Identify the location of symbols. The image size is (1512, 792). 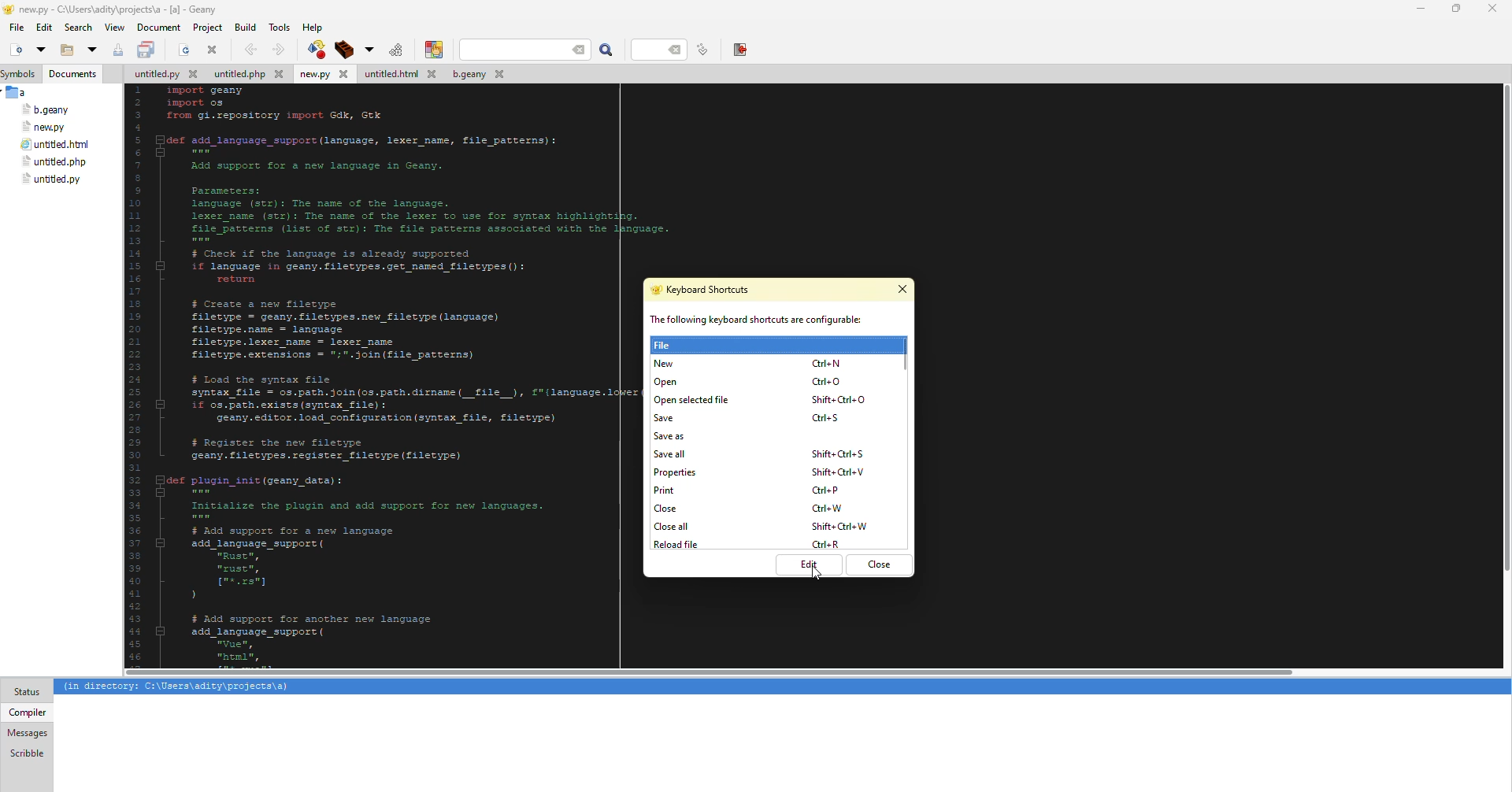
(22, 74).